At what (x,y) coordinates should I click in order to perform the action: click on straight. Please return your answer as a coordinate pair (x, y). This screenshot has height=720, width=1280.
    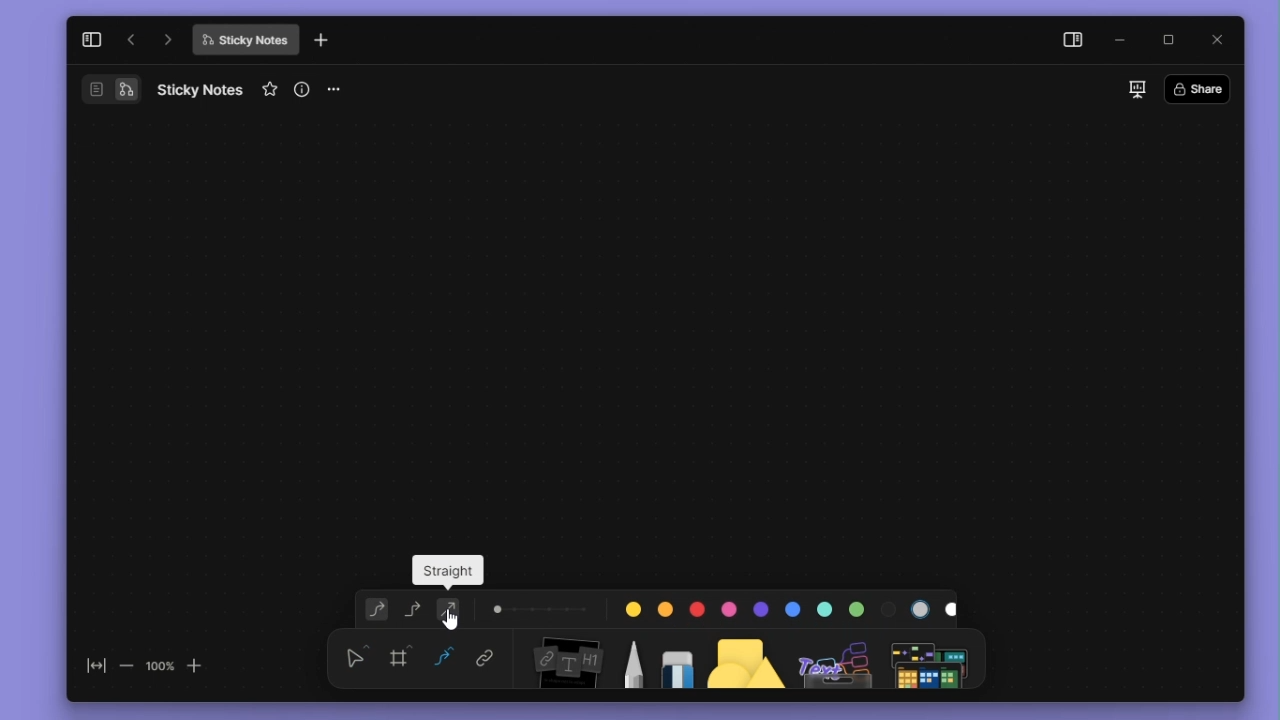
    Looking at the image, I should click on (453, 611).